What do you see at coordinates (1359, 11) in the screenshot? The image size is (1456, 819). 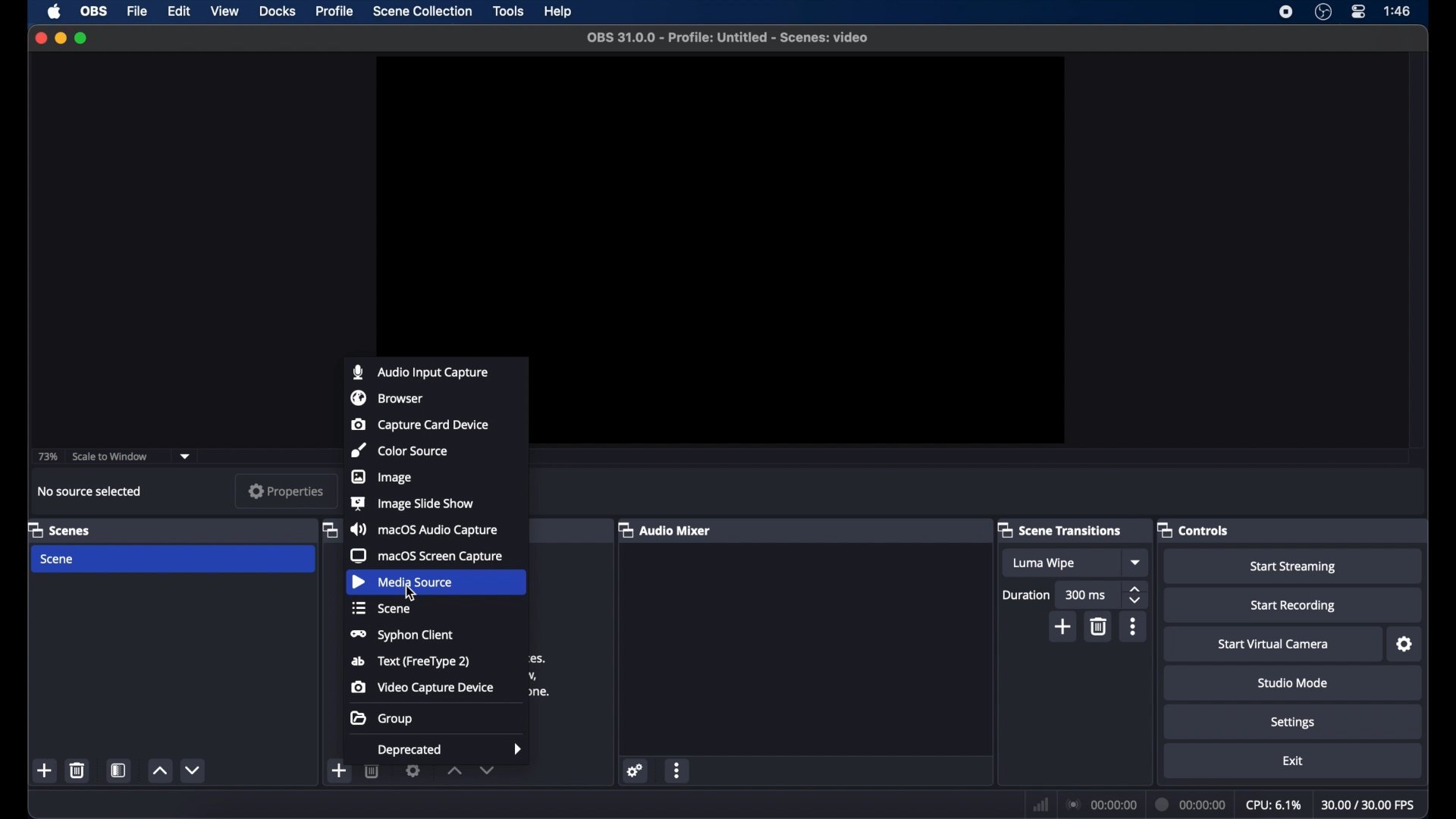 I see `control center` at bounding box center [1359, 11].